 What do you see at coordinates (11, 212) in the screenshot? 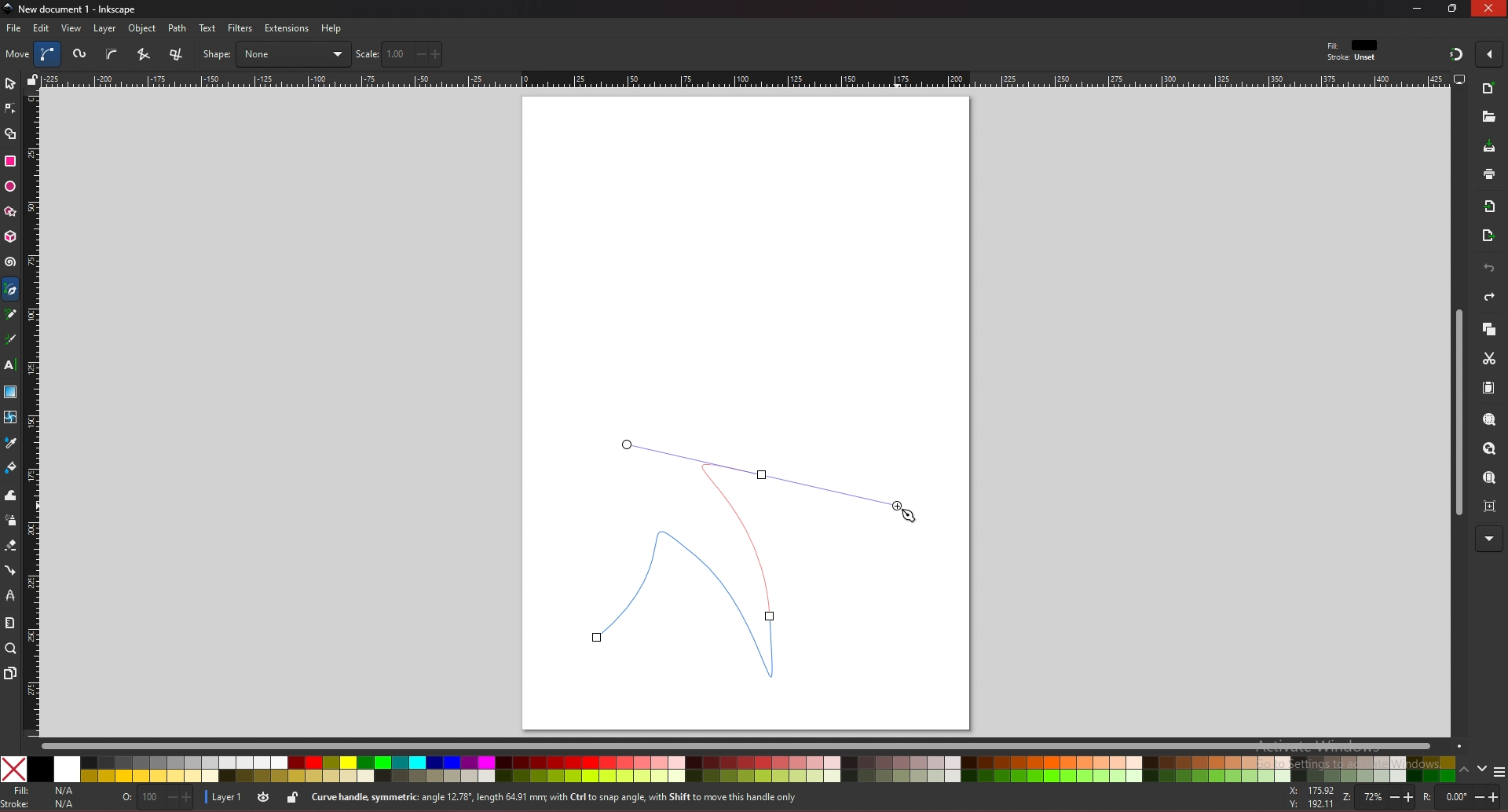
I see `stars and polygons` at bounding box center [11, 212].